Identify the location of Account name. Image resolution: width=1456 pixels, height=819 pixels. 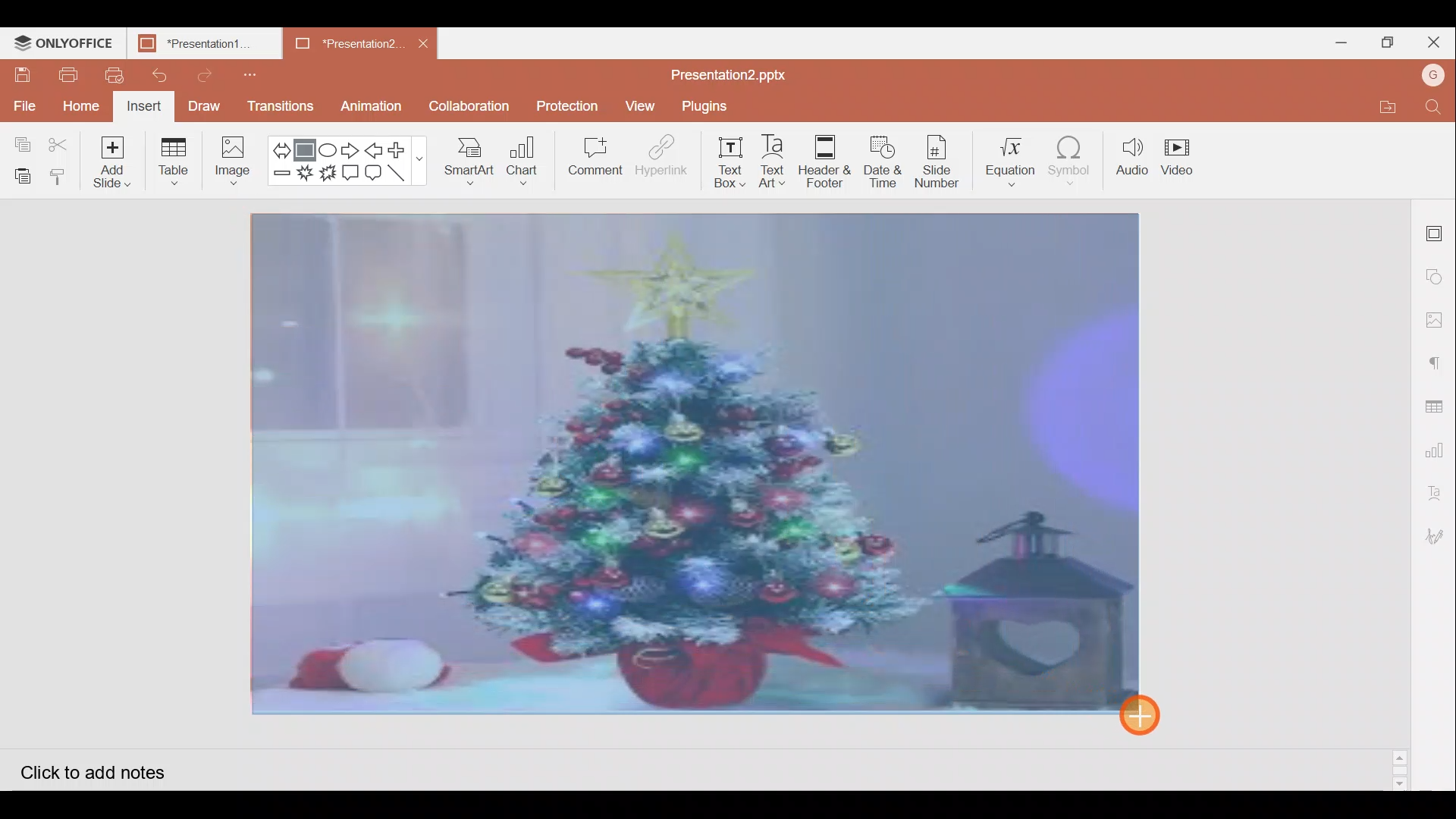
(1435, 75).